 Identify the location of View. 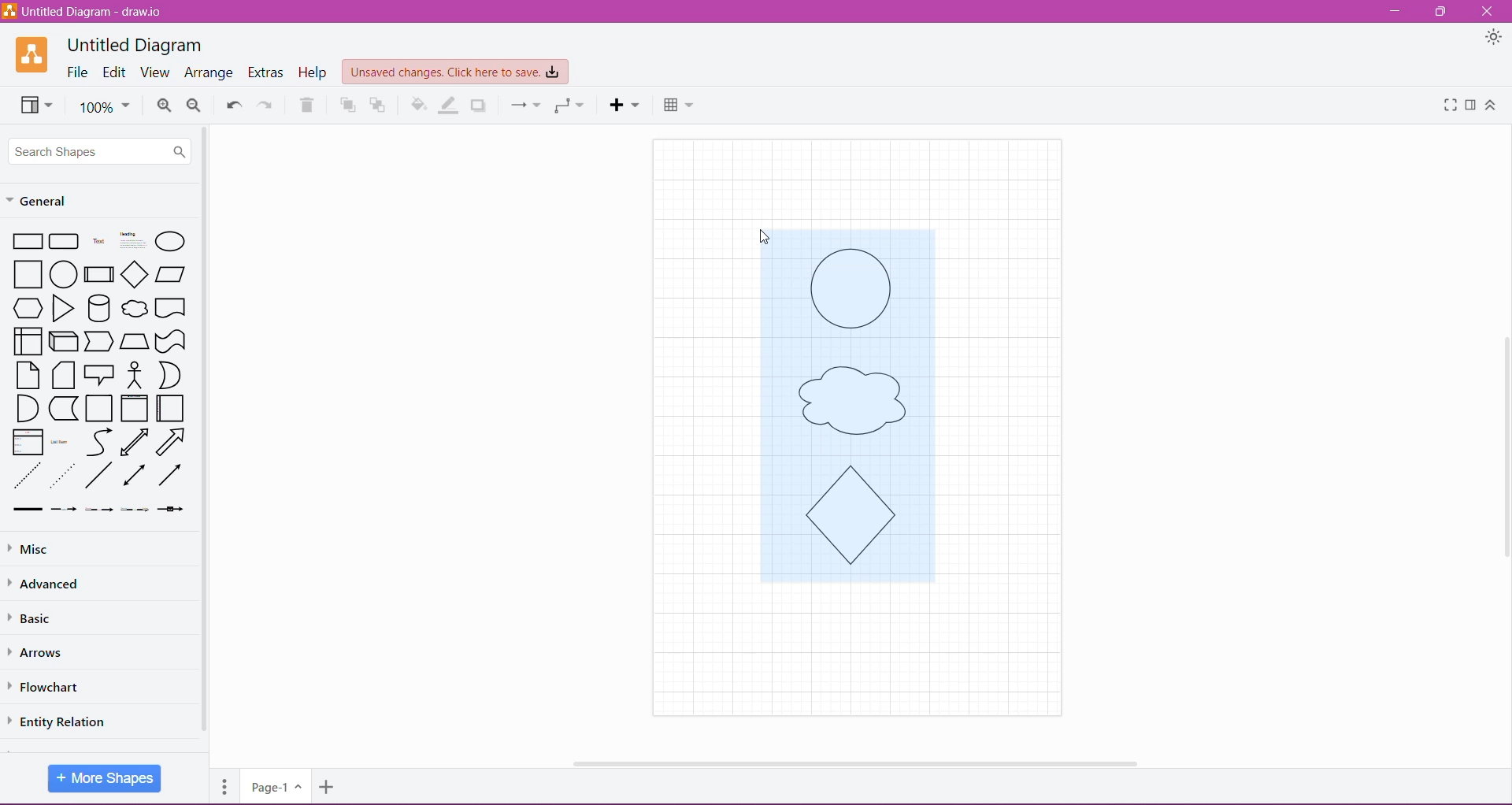
(33, 104).